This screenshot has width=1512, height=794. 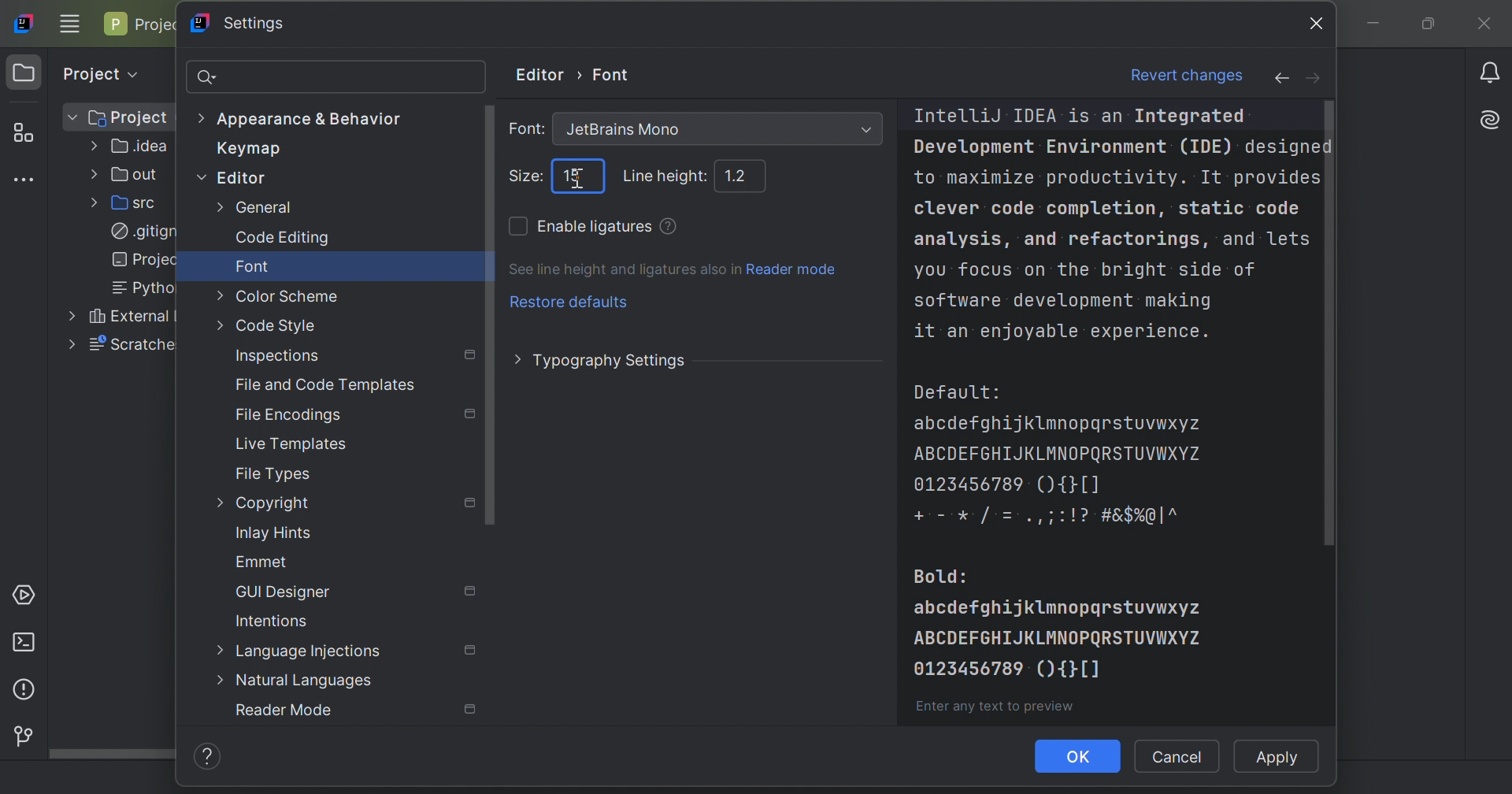 I want to click on it an enjoyable experience., so click(x=1062, y=331).